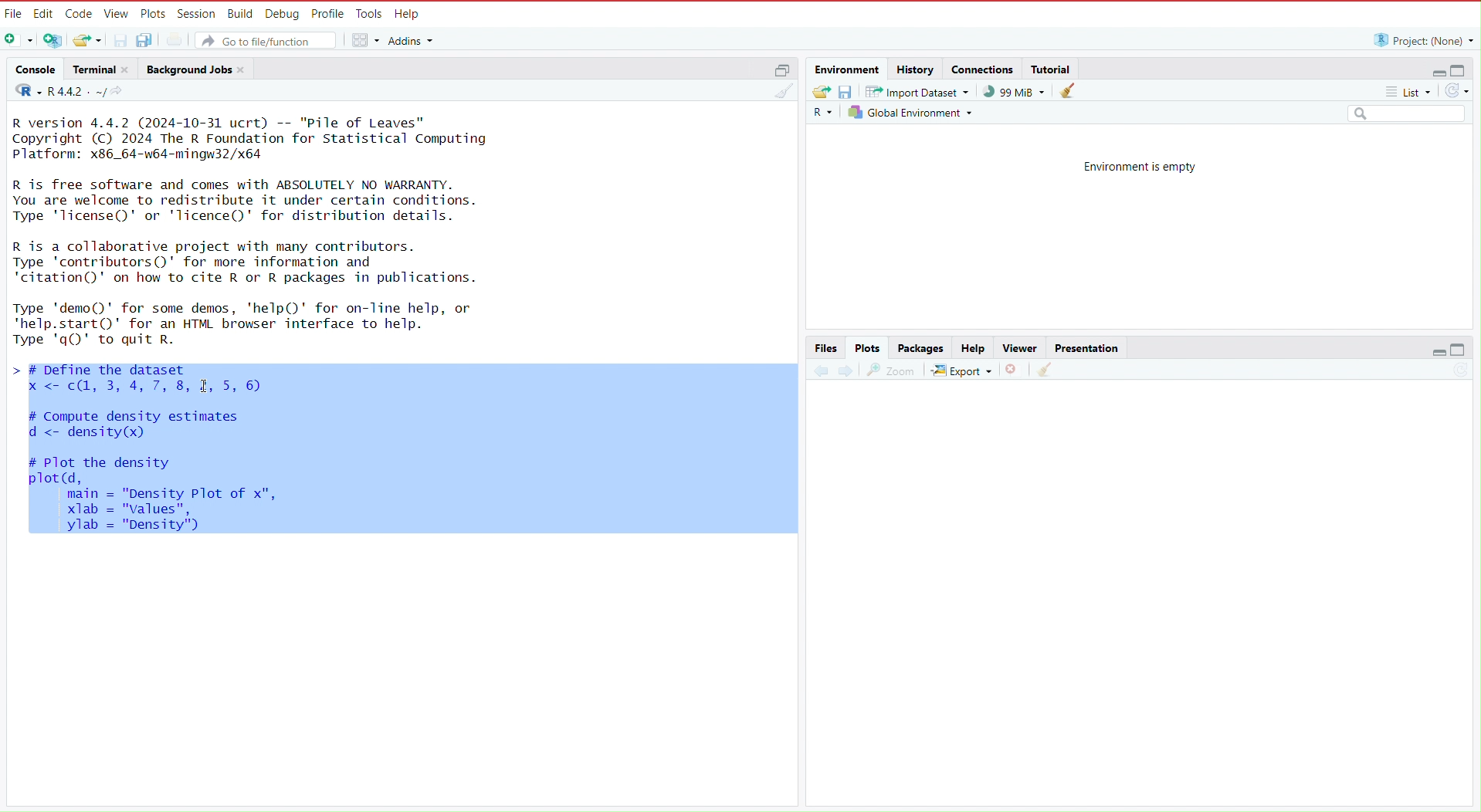 The height and width of the screenshot is (812, 1481). I want to click on presentation, so click(1089, 347).